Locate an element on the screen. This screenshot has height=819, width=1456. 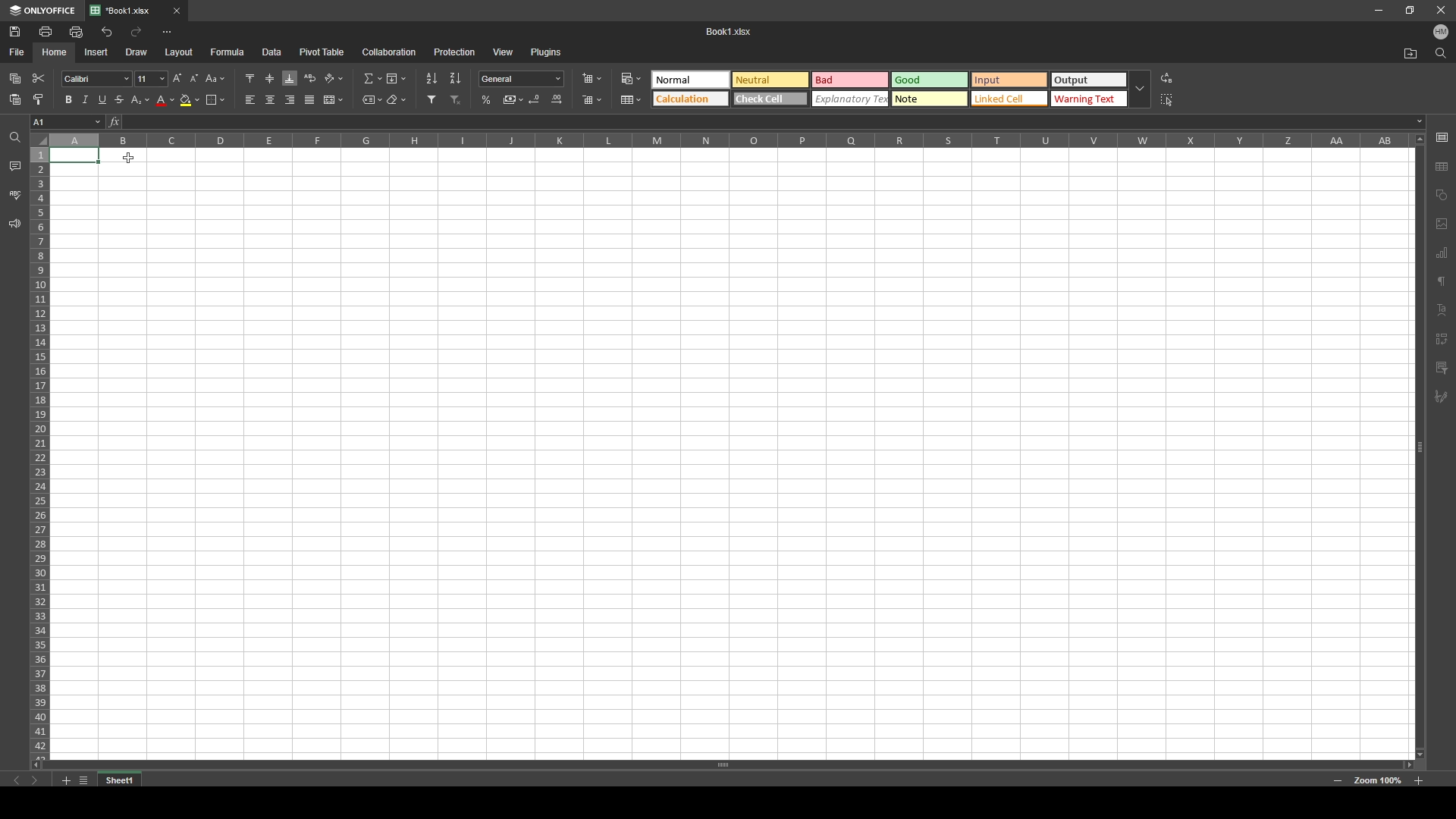
increment font size is located at coordinates (176, 79).